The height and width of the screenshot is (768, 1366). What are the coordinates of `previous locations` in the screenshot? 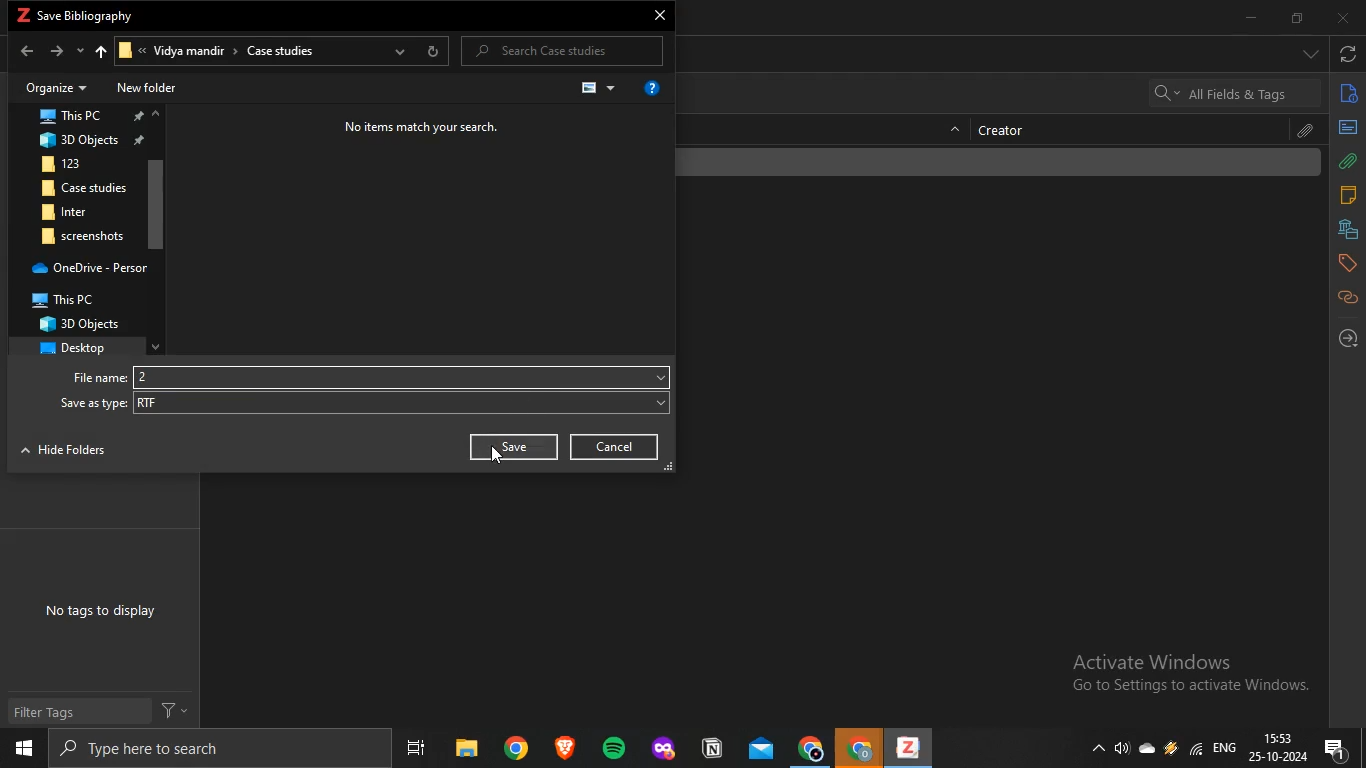 It's located at (400, 50).